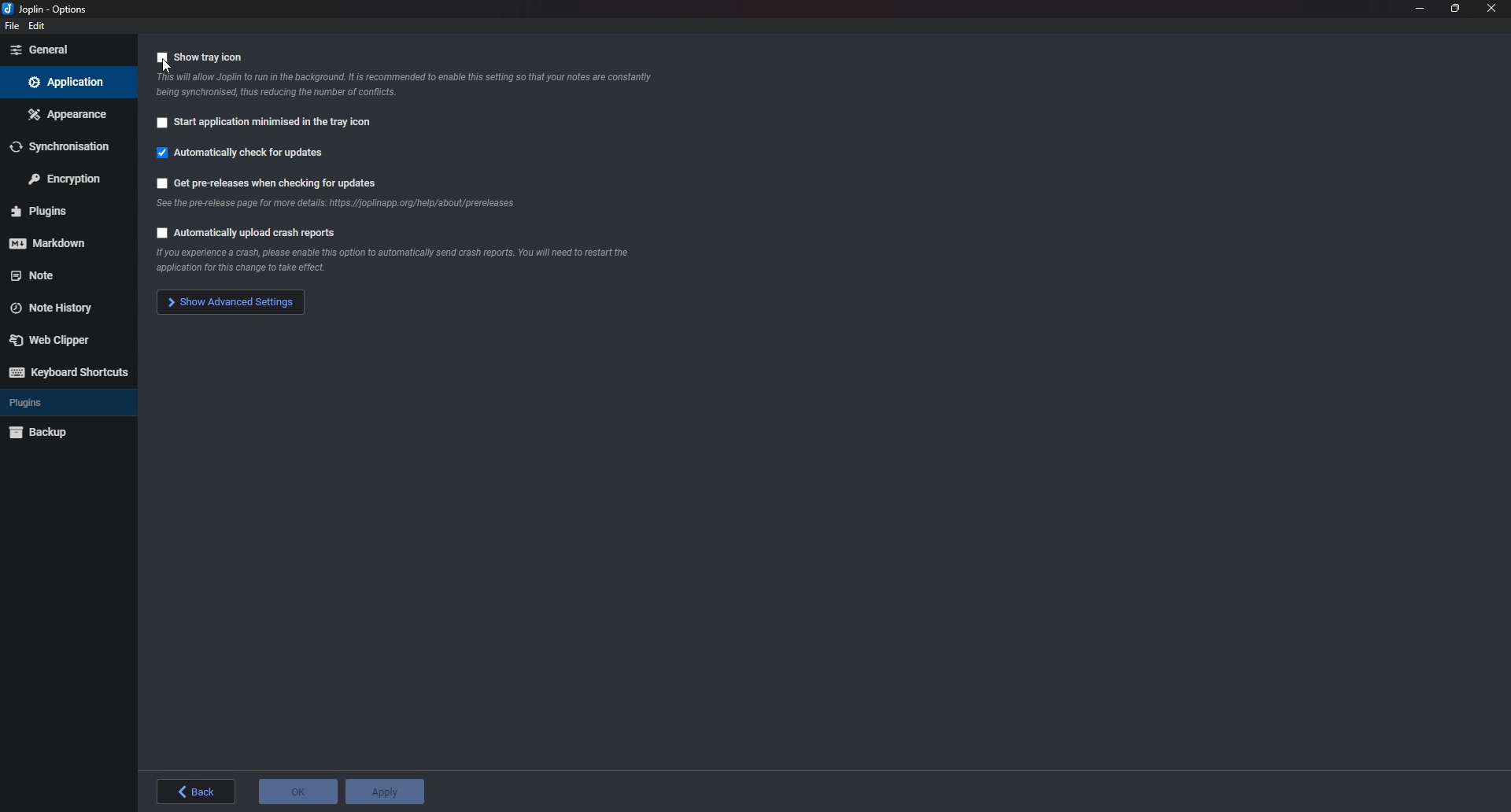 The image size is (1511, 812). What do you see at coordinates (204, 57) in the screenshot?
I see `Show Tray icon` at bounding box center [204, 57].